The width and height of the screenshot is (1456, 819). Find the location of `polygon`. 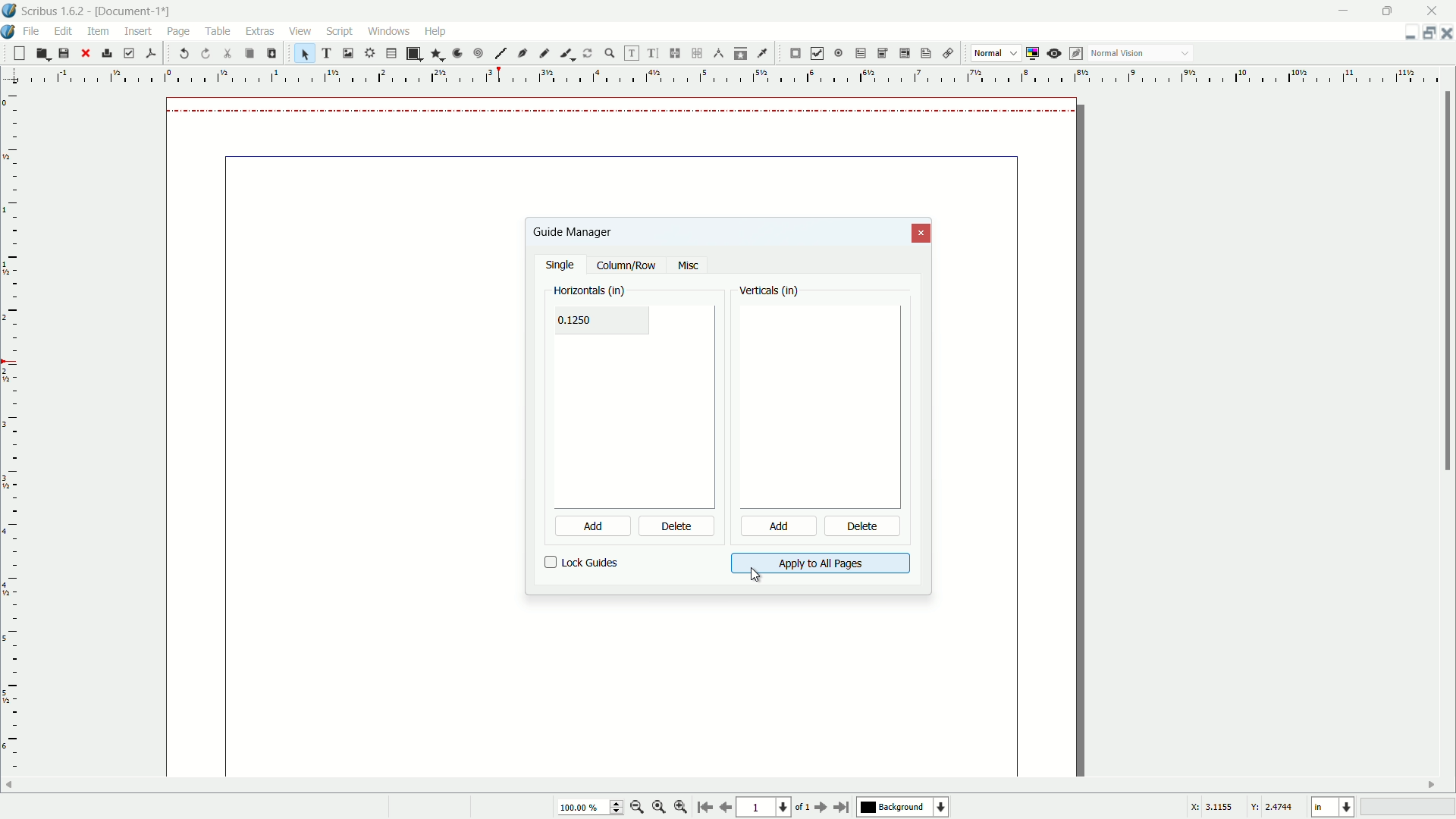

polygon is located at coordinates (437, 55).